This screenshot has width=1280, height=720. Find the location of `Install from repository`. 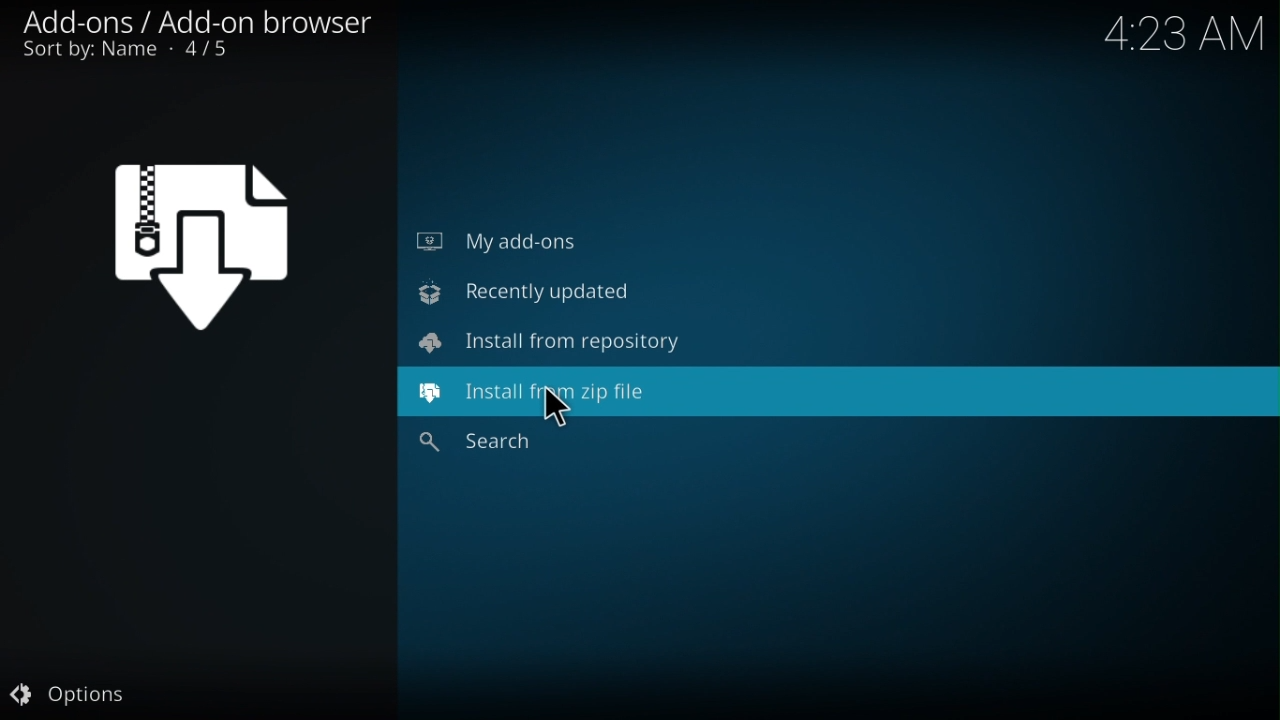

Install from repository is located at coordinates (544, 339).